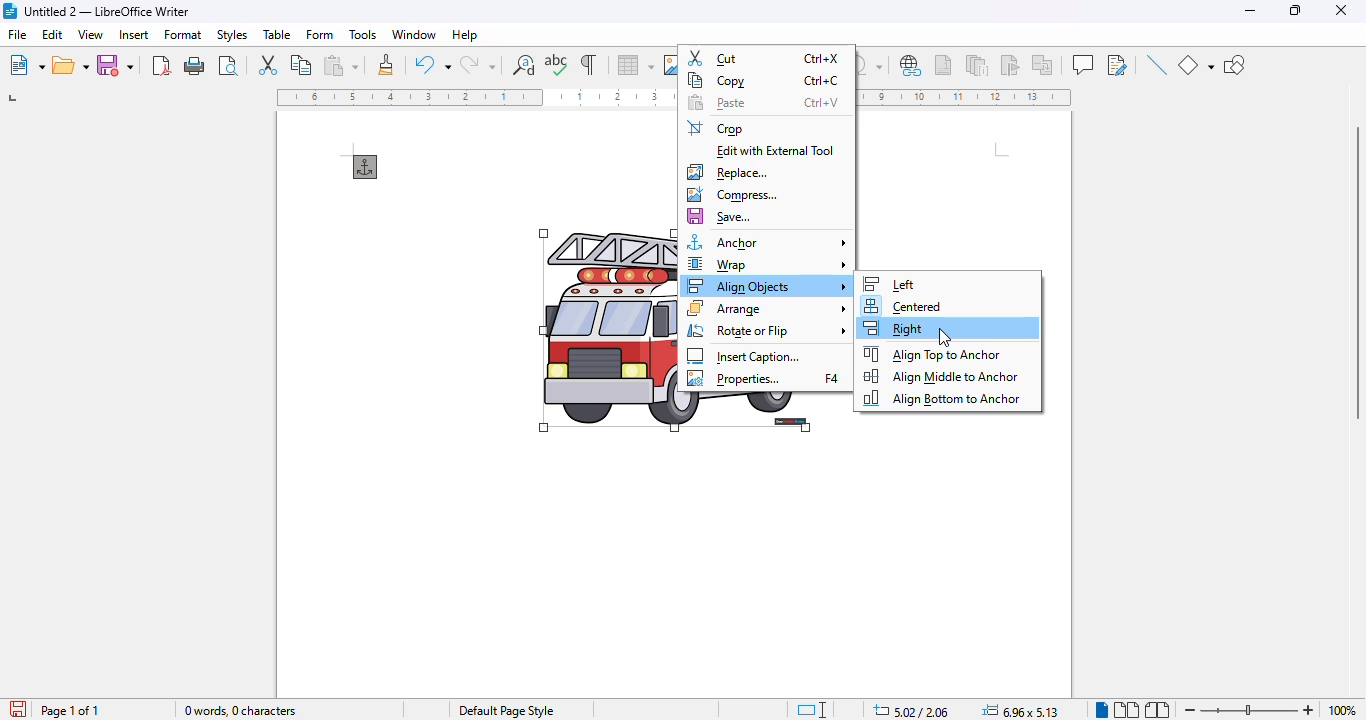 The width and height of the screenshot is (1366, 720). What do you see at coordinates (1083, 64) in the screenshot?
I see `insert comment` at bounding box center [1083, 64].